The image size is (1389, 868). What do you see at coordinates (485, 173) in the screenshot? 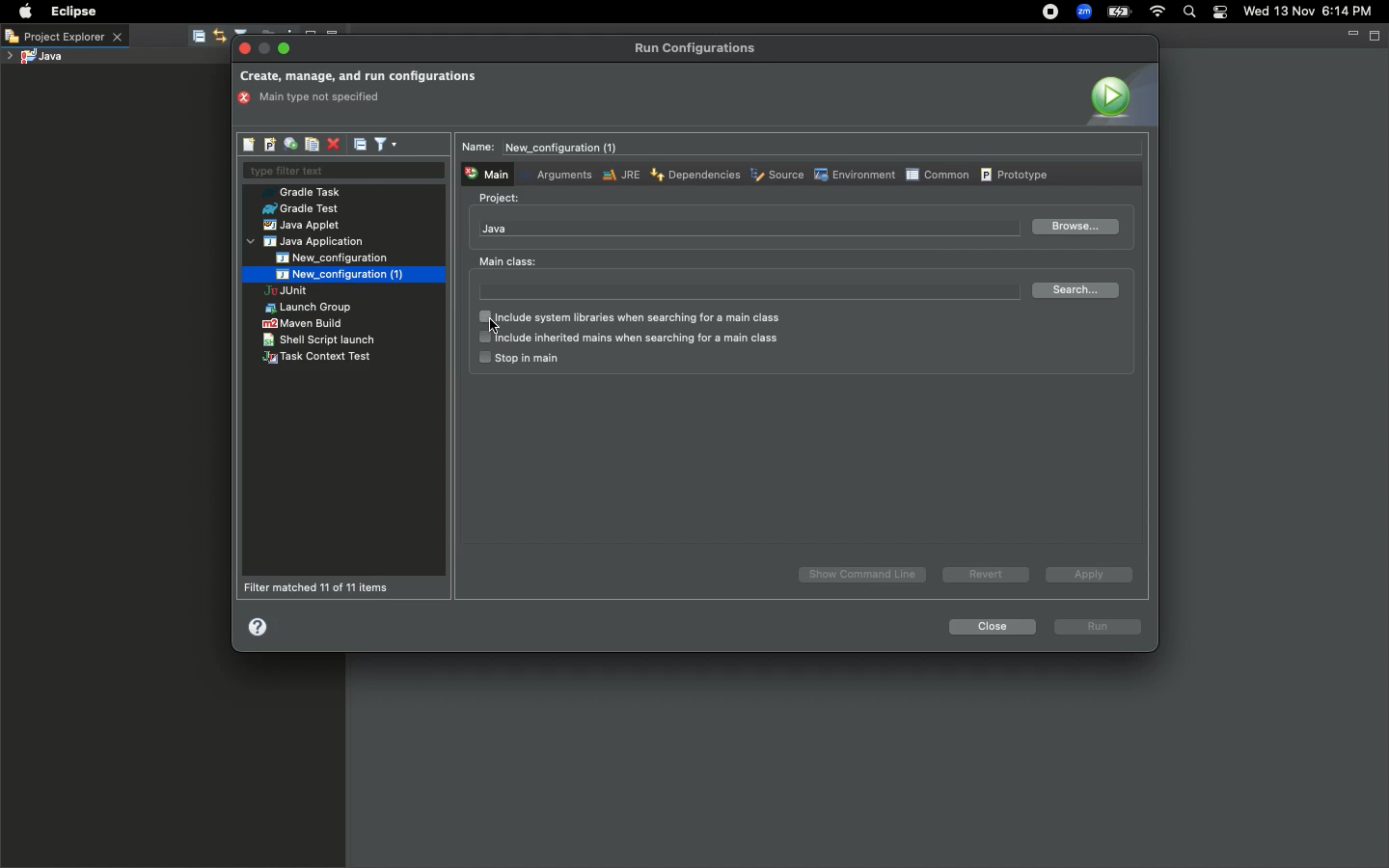
I see `Main` at bounding box center [485, 173].